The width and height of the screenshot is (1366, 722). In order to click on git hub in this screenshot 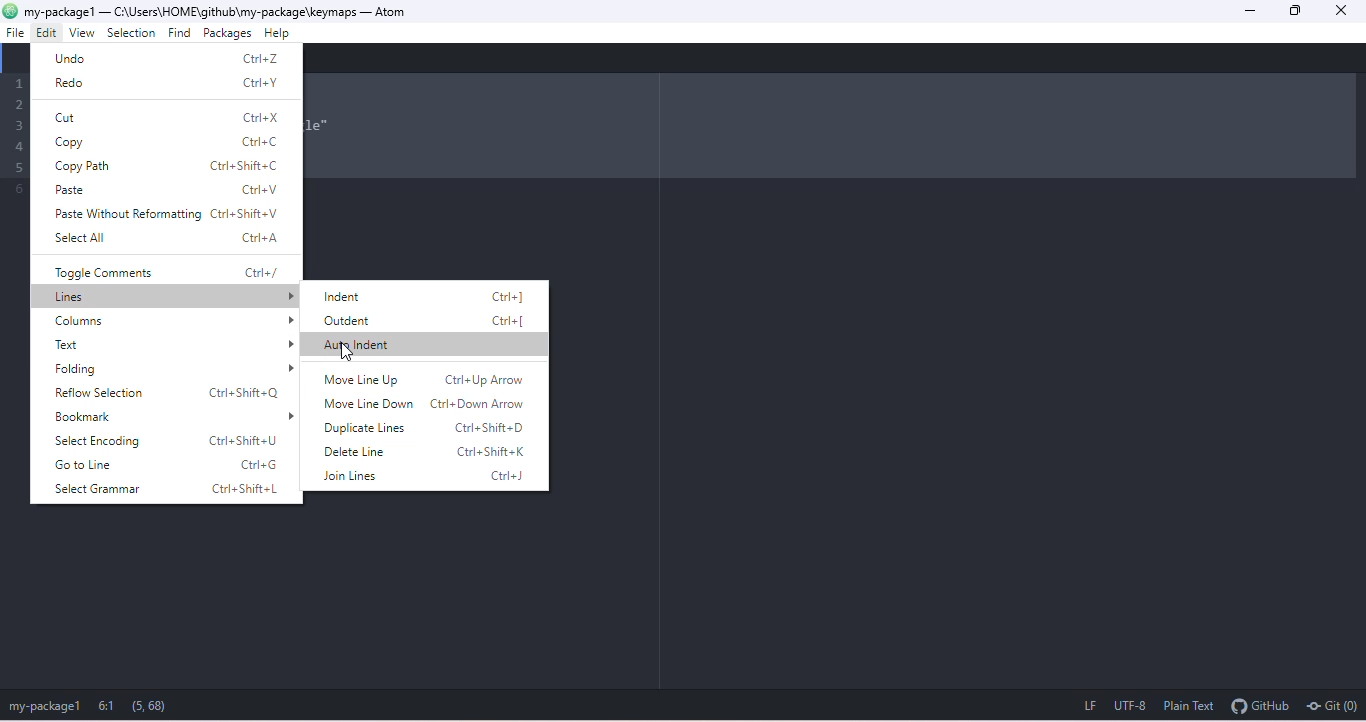, I will do `click(1261, 708)`.